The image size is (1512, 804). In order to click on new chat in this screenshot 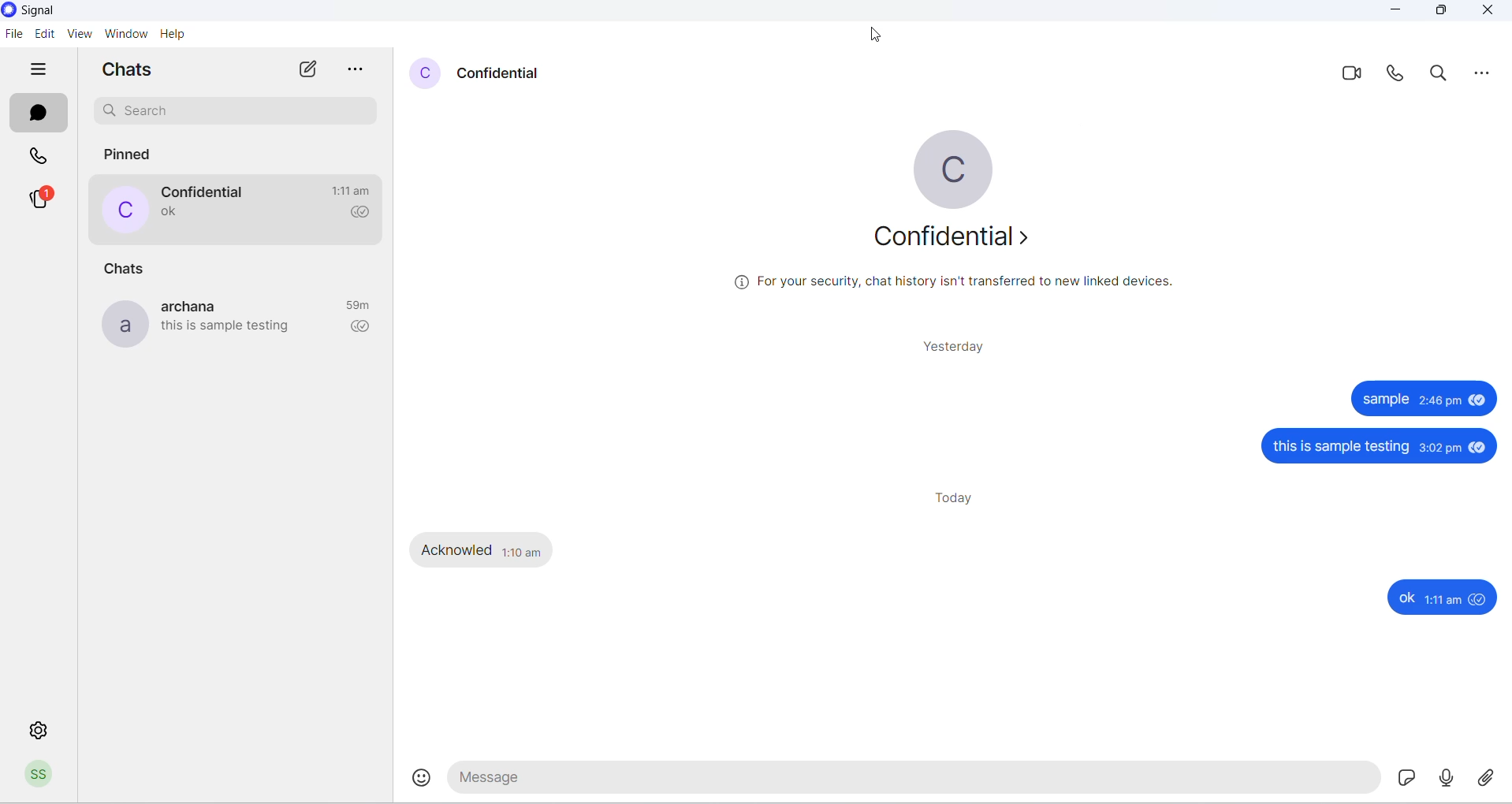, I will do `click(306, 71)`.